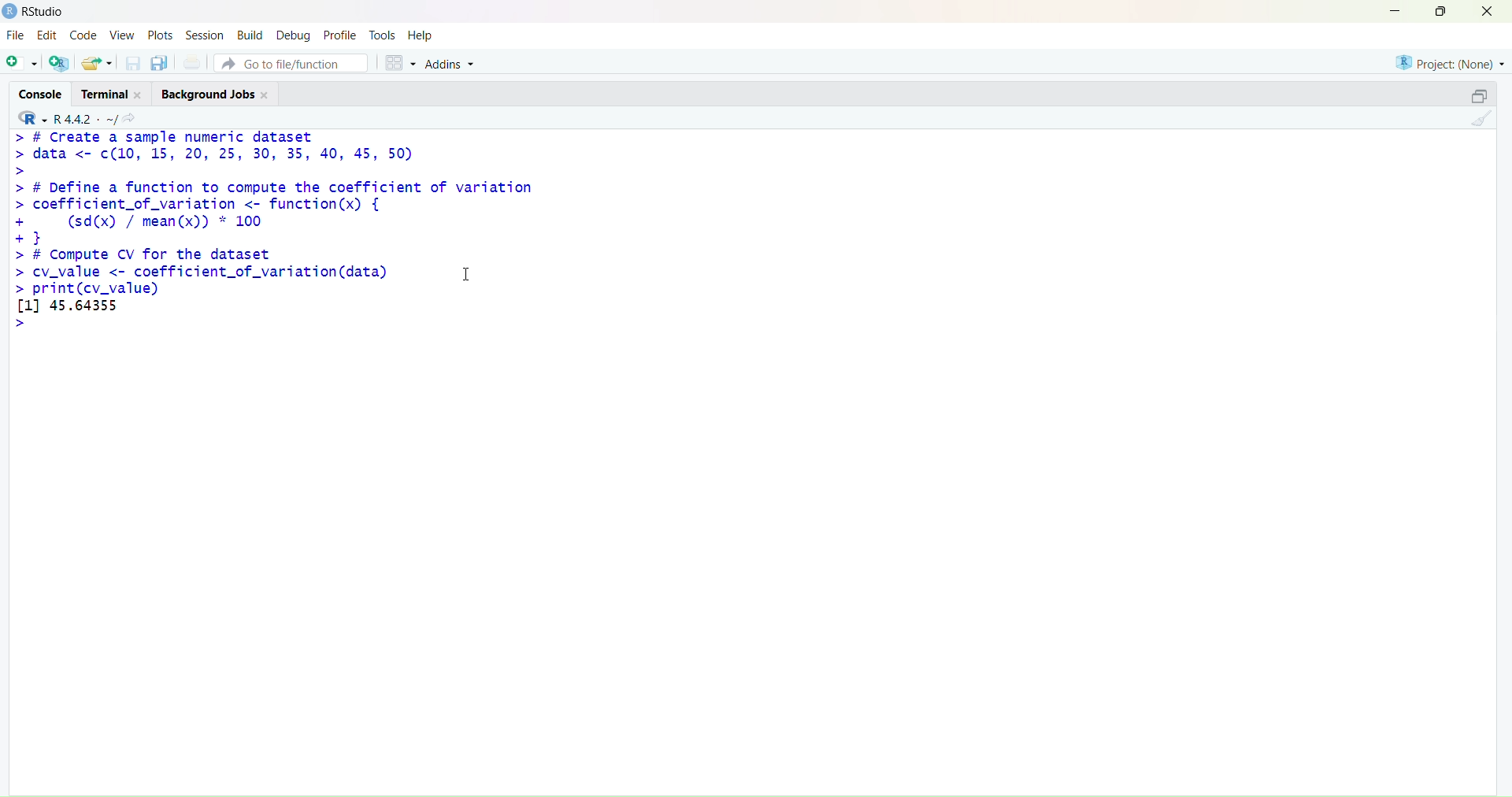 This screenshot has width=1512, height=797. I want to click on minimise, so click(1396, 10).